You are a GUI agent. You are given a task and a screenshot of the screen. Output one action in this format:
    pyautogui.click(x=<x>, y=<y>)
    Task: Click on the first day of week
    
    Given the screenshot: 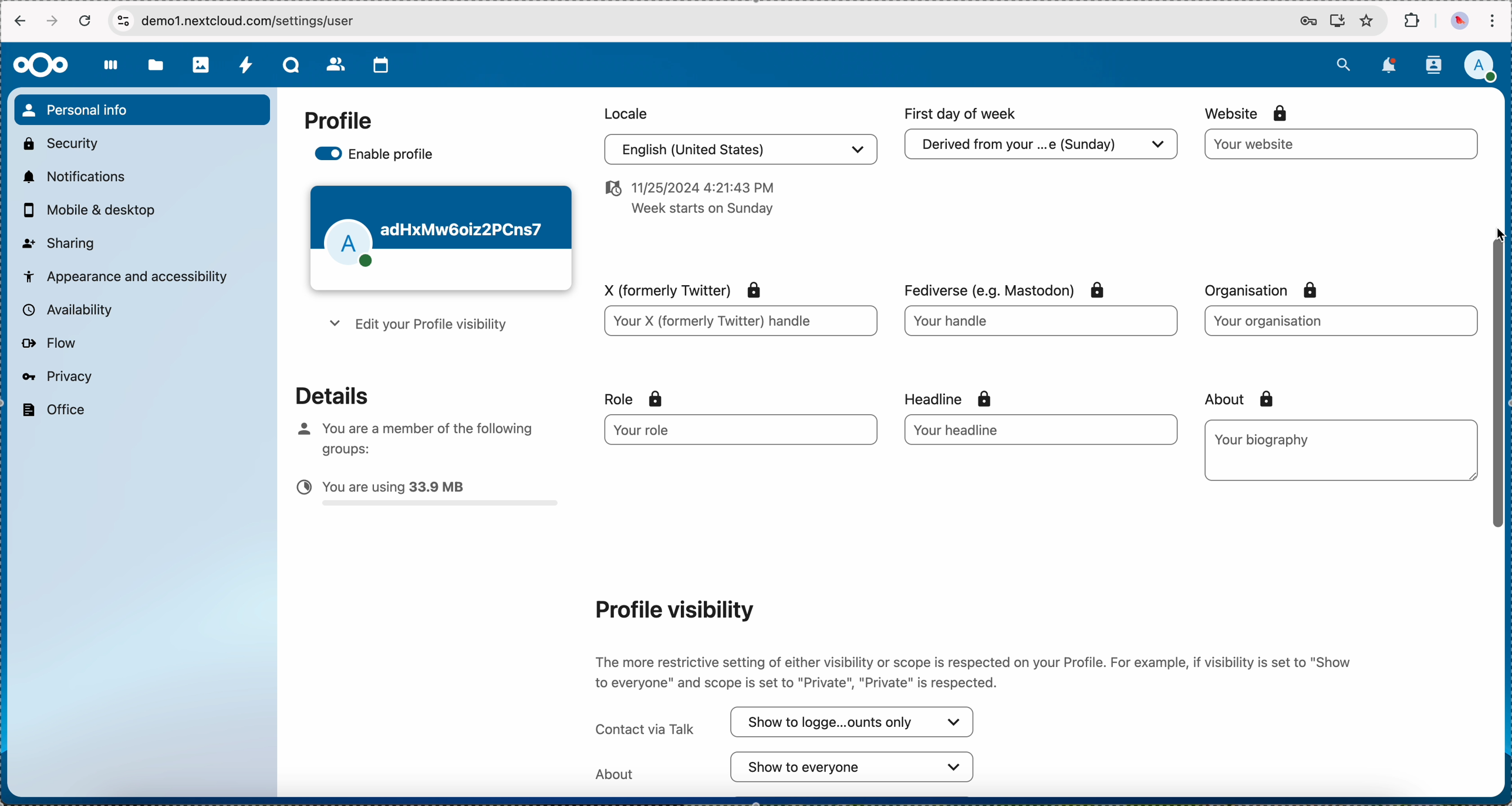 What is the action you would take?
    pyautogui.click(x=963, y=114)
    